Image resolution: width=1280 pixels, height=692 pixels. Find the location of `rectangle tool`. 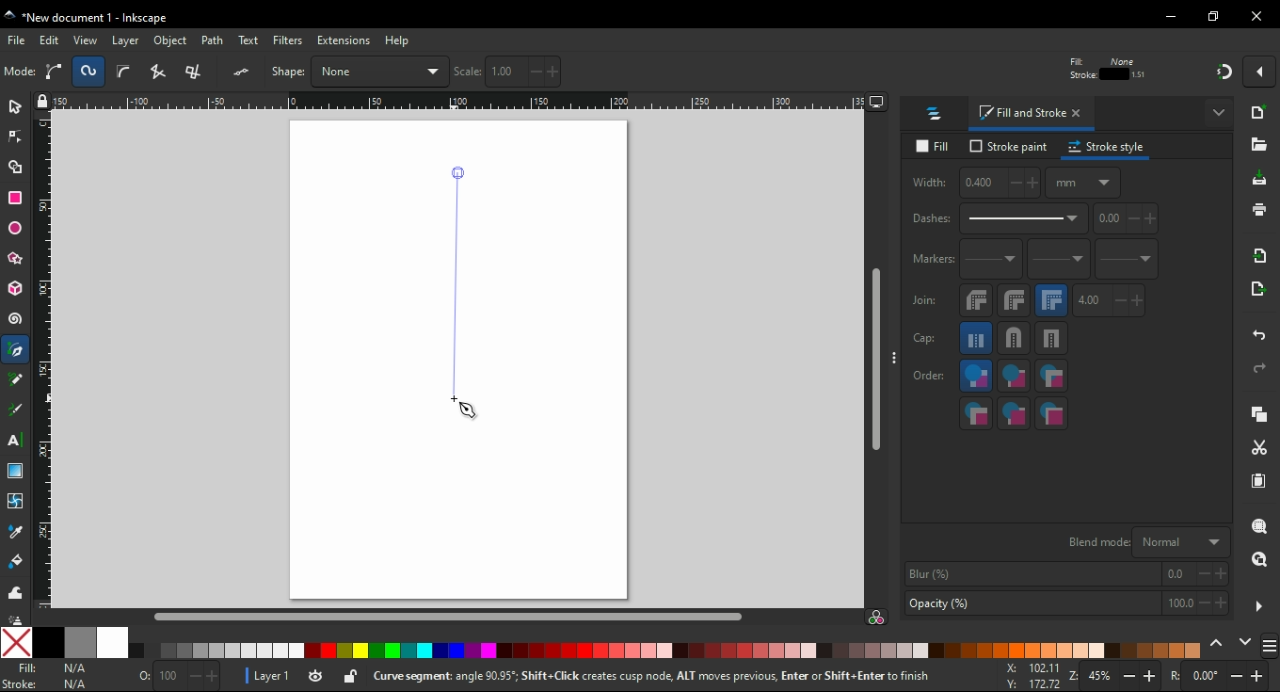

rectangle tool is located at coordinates (16, 197).